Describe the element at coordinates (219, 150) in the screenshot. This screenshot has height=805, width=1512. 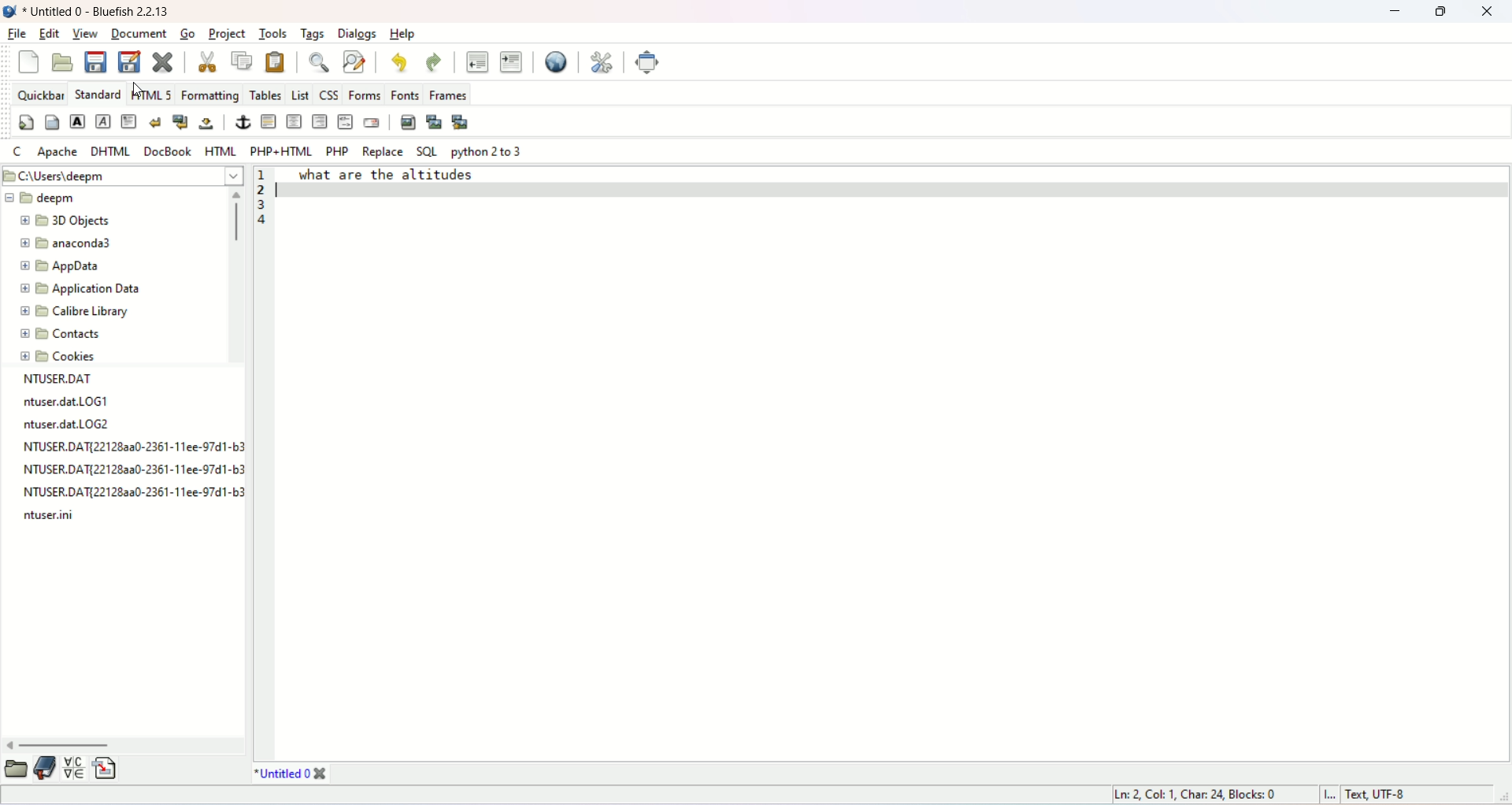
I see `HTML` at that location.